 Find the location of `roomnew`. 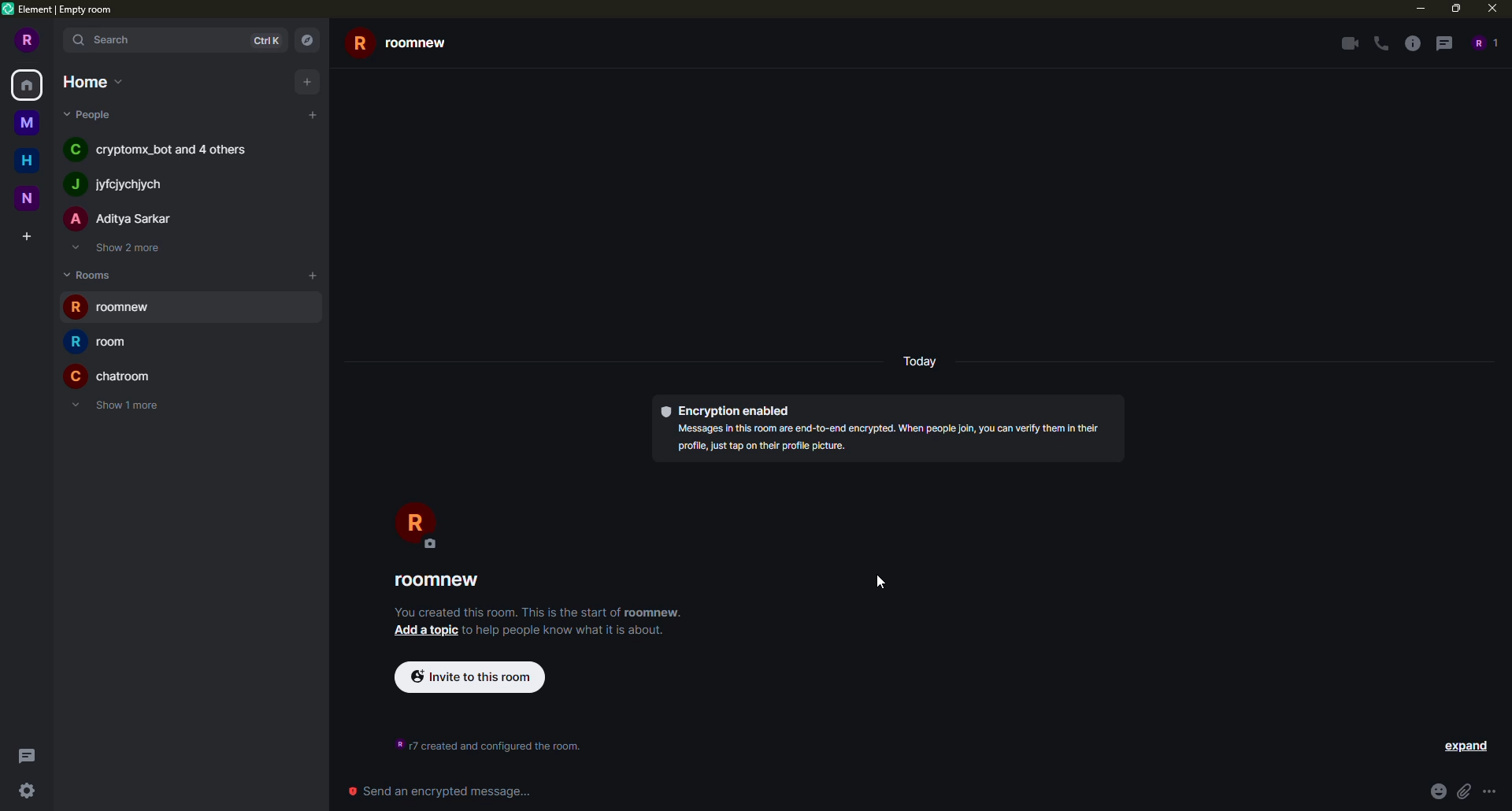

roomnew is located at coordinates (405, 43).